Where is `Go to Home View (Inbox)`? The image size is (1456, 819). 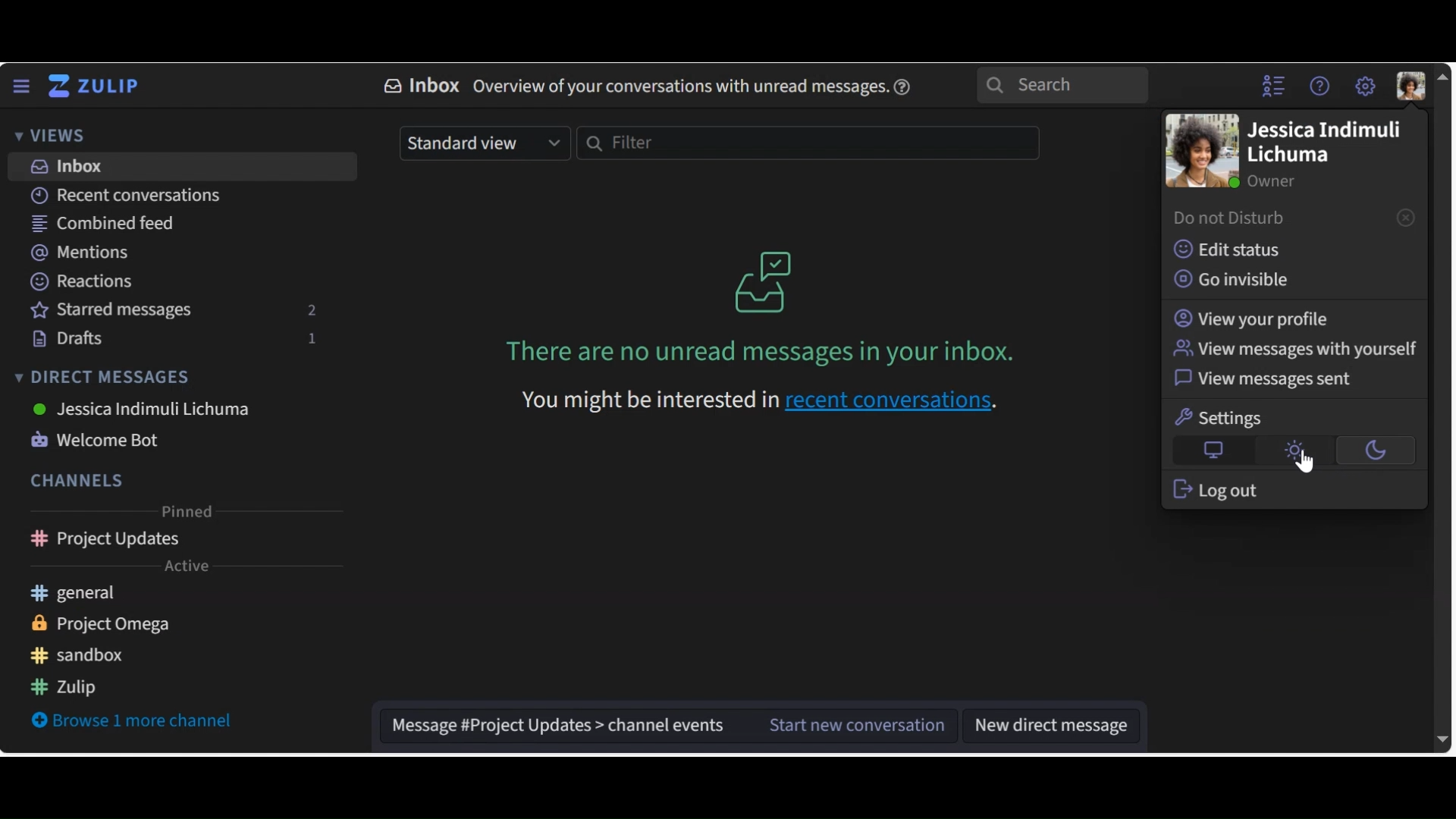 Go to Home View (Inbox) is located at coordinates (99, 86).